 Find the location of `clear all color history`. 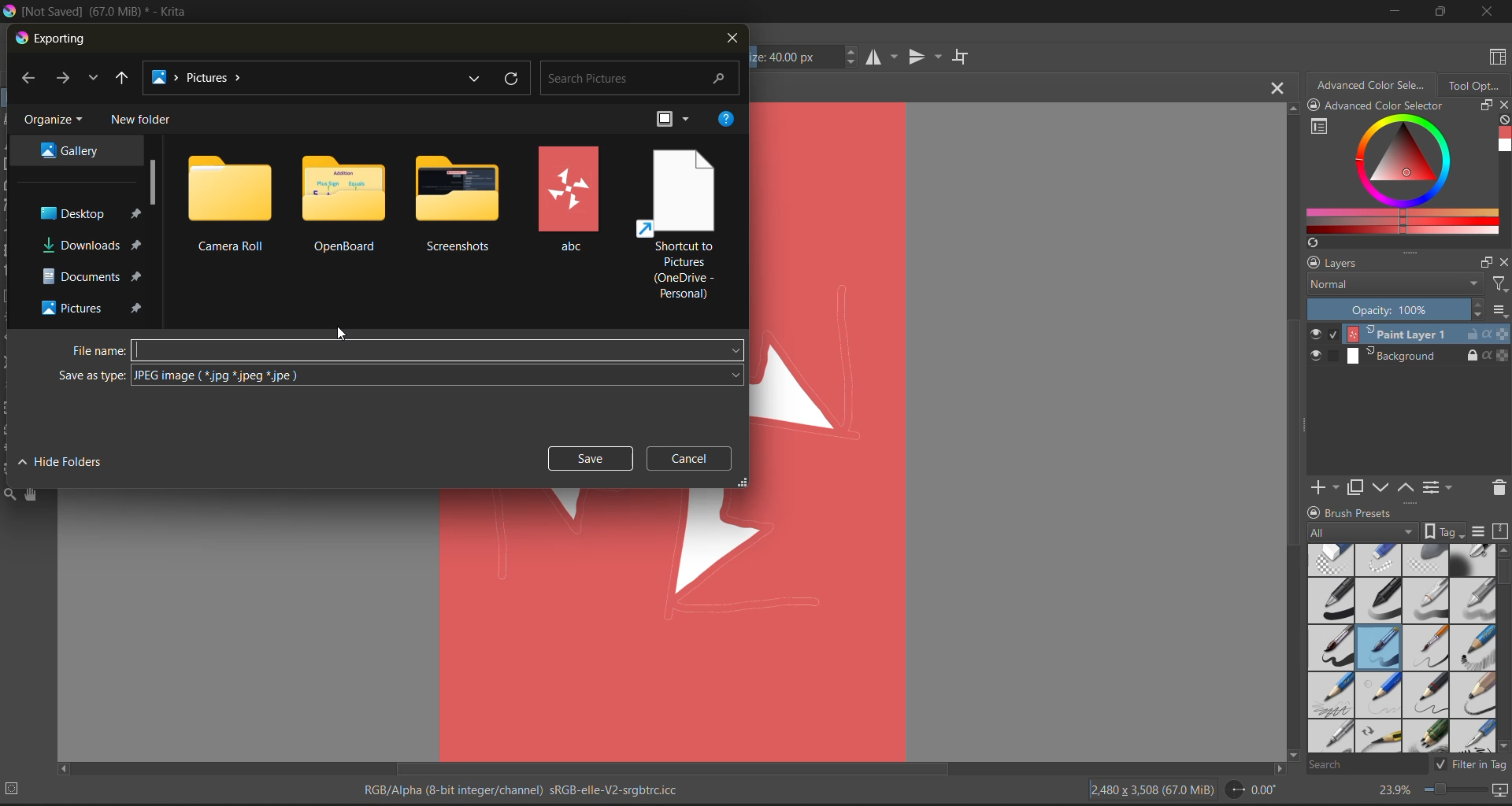

clear all color history is located at coordinates (1501, 119).